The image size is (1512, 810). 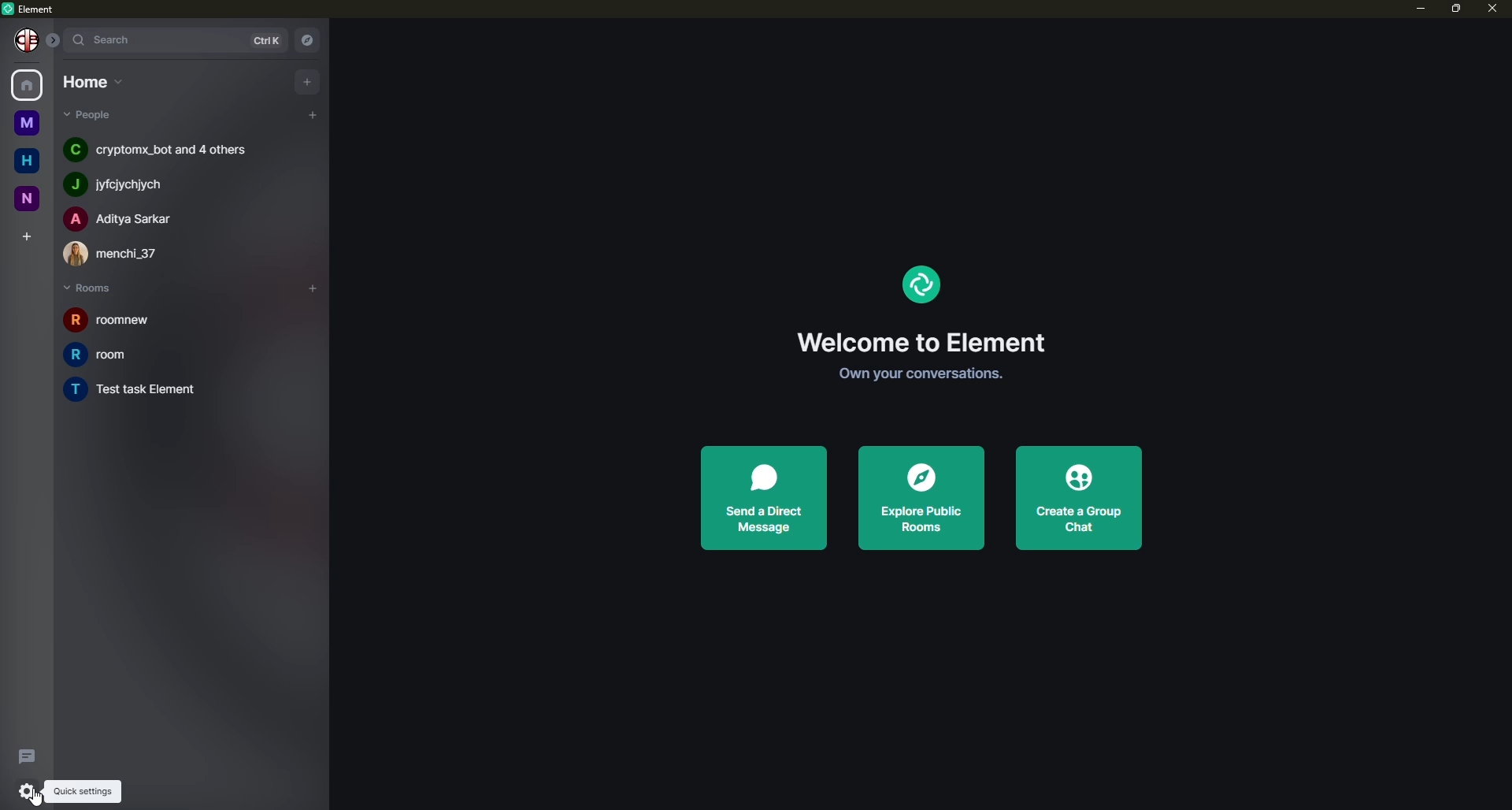 What do you see at coordinates (1411, 9) in the screenshot?
I see `minimize` at bounding box center [1411, 9].